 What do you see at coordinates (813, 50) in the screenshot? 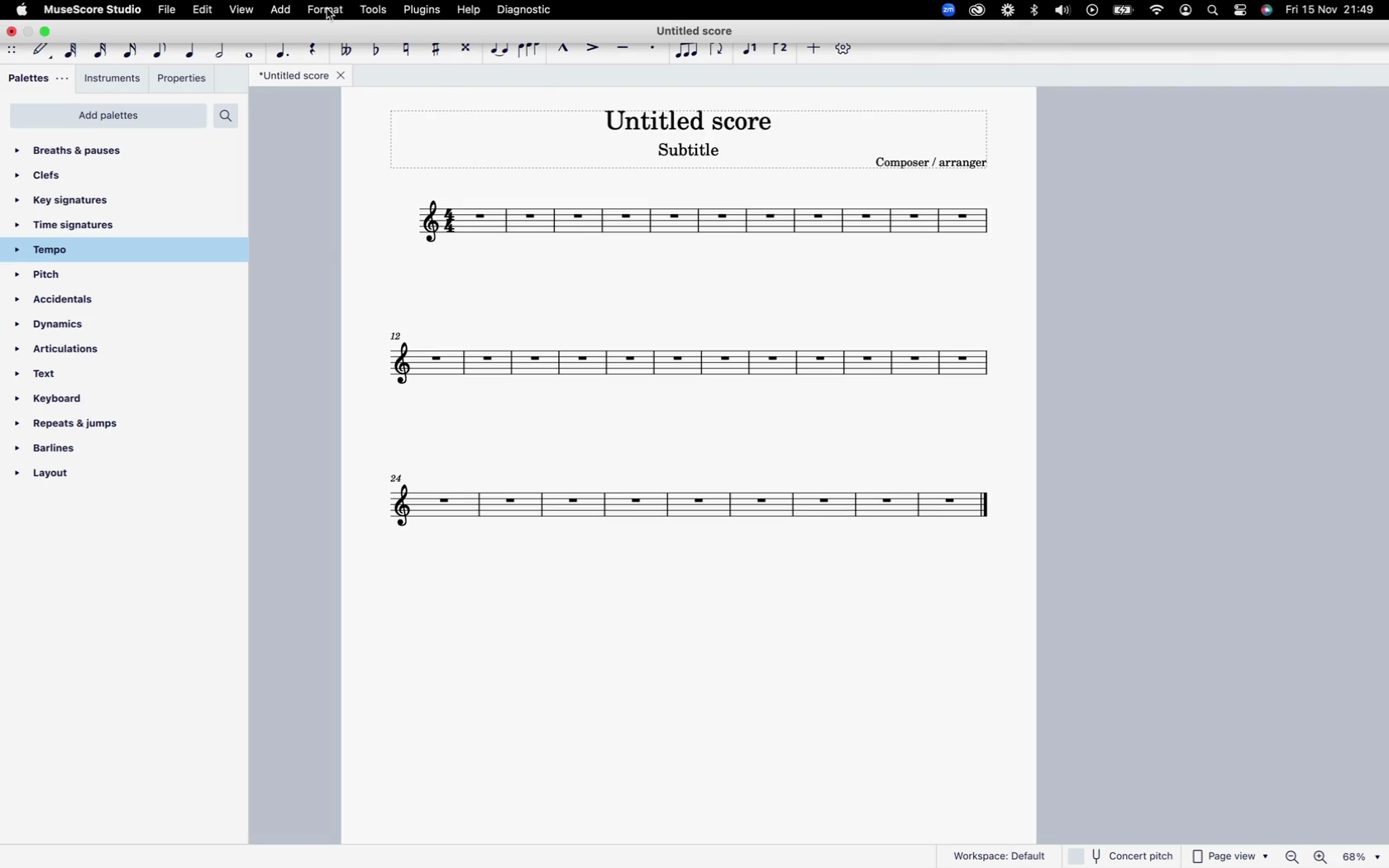
I see `more` at bounding box center [813, 50].